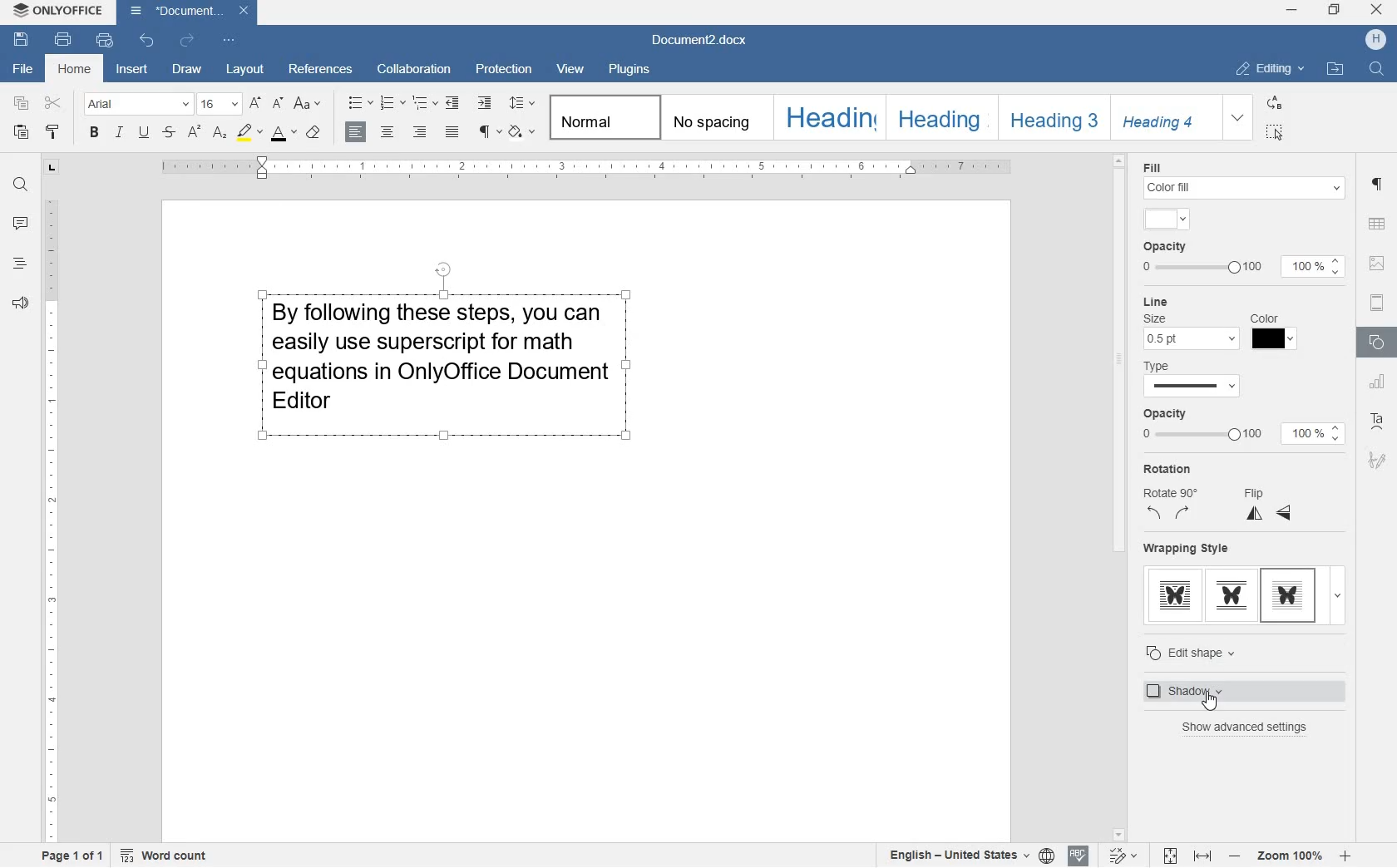  What do you see at coordinates (21, 70) in the screenshot?
I see `file` at bounding box center [21, 70].